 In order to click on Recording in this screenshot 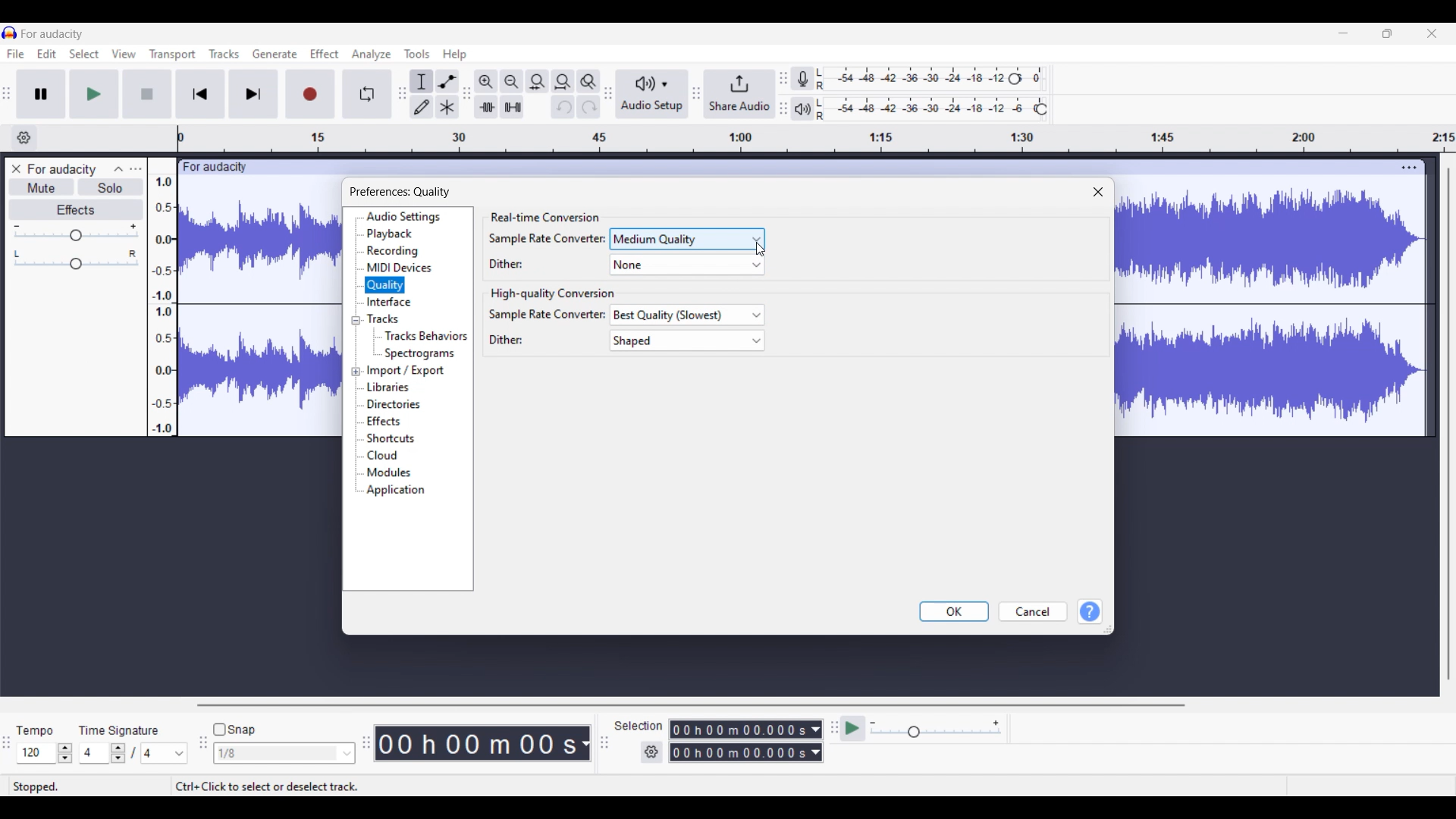, I will do `click(393, 251)`.